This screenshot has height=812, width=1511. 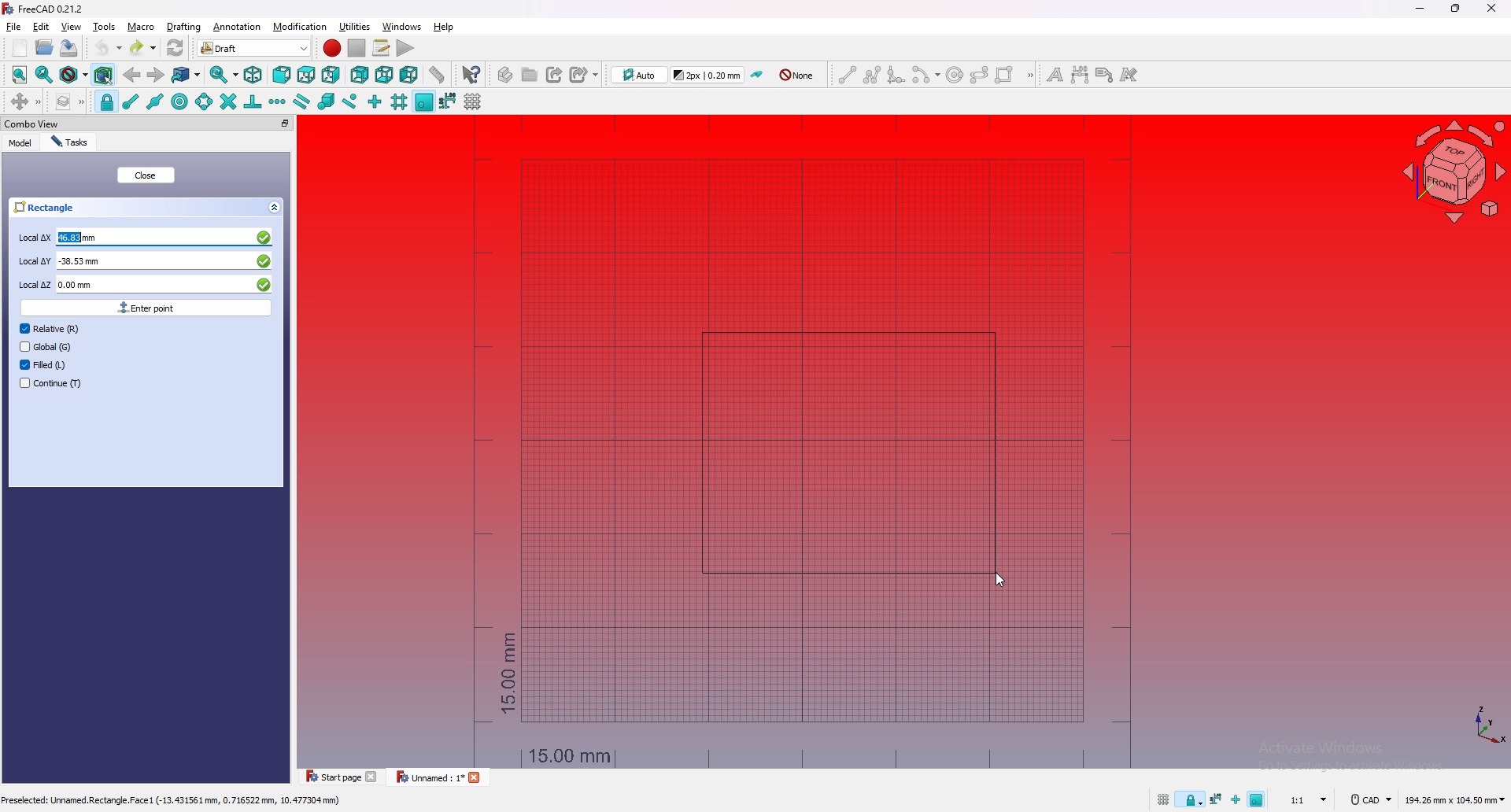 What do you see at coordinates (1448, 172) in the screenshot?
I see `navigating cube` at bounding box center [1448, 172].